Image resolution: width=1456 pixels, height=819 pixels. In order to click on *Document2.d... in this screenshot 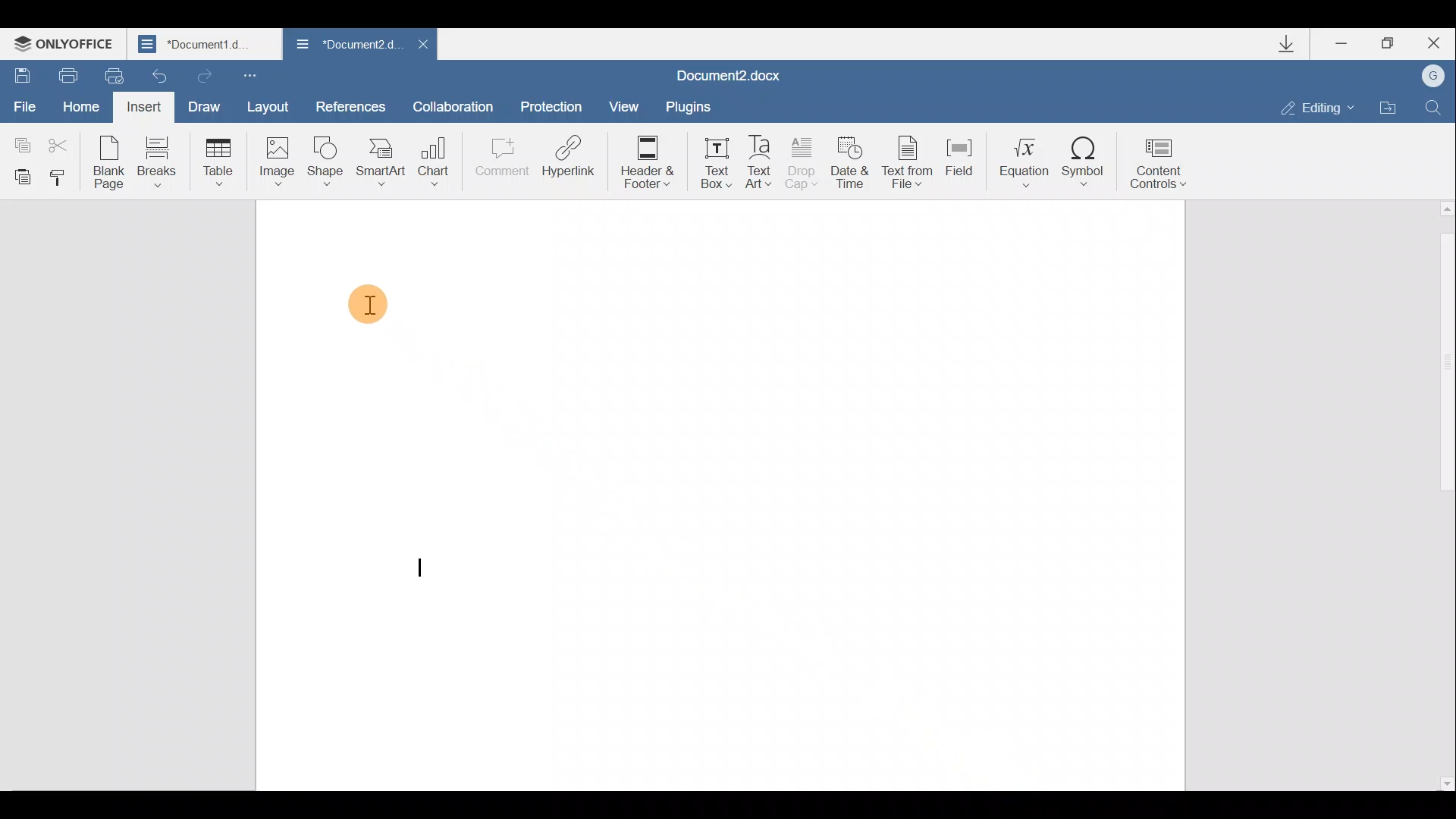, I will do `click(345, 45)`.